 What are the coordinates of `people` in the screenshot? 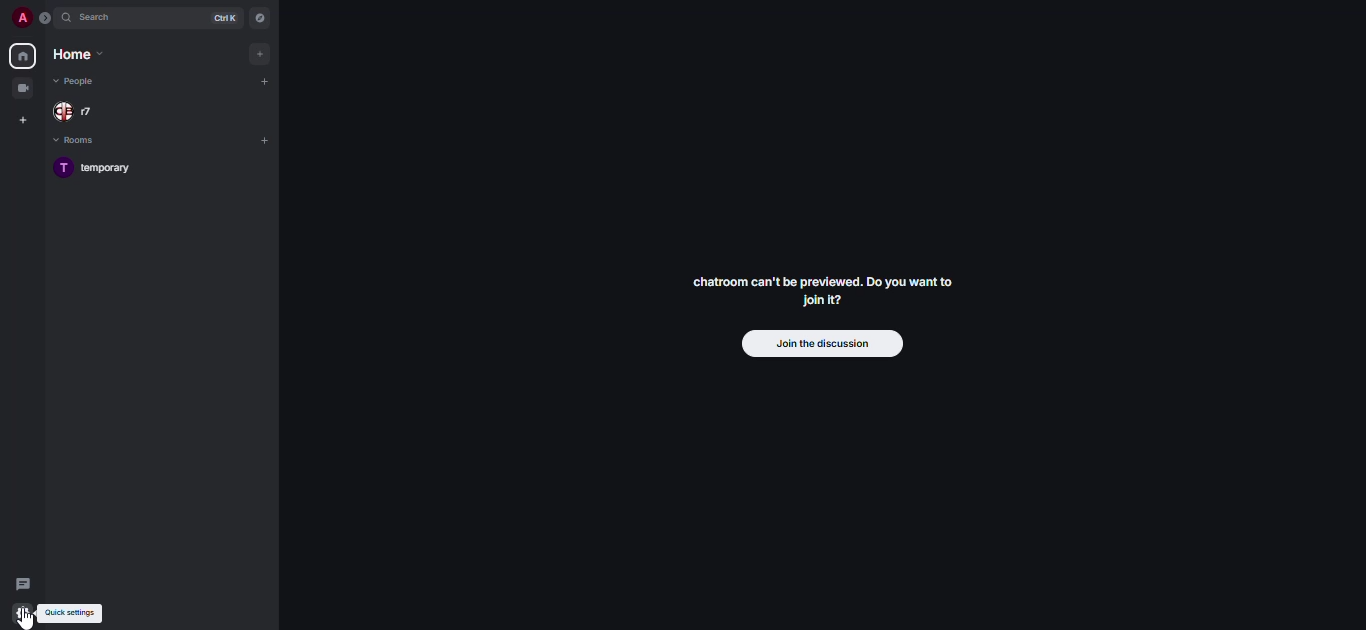 It's located at (80, 81).